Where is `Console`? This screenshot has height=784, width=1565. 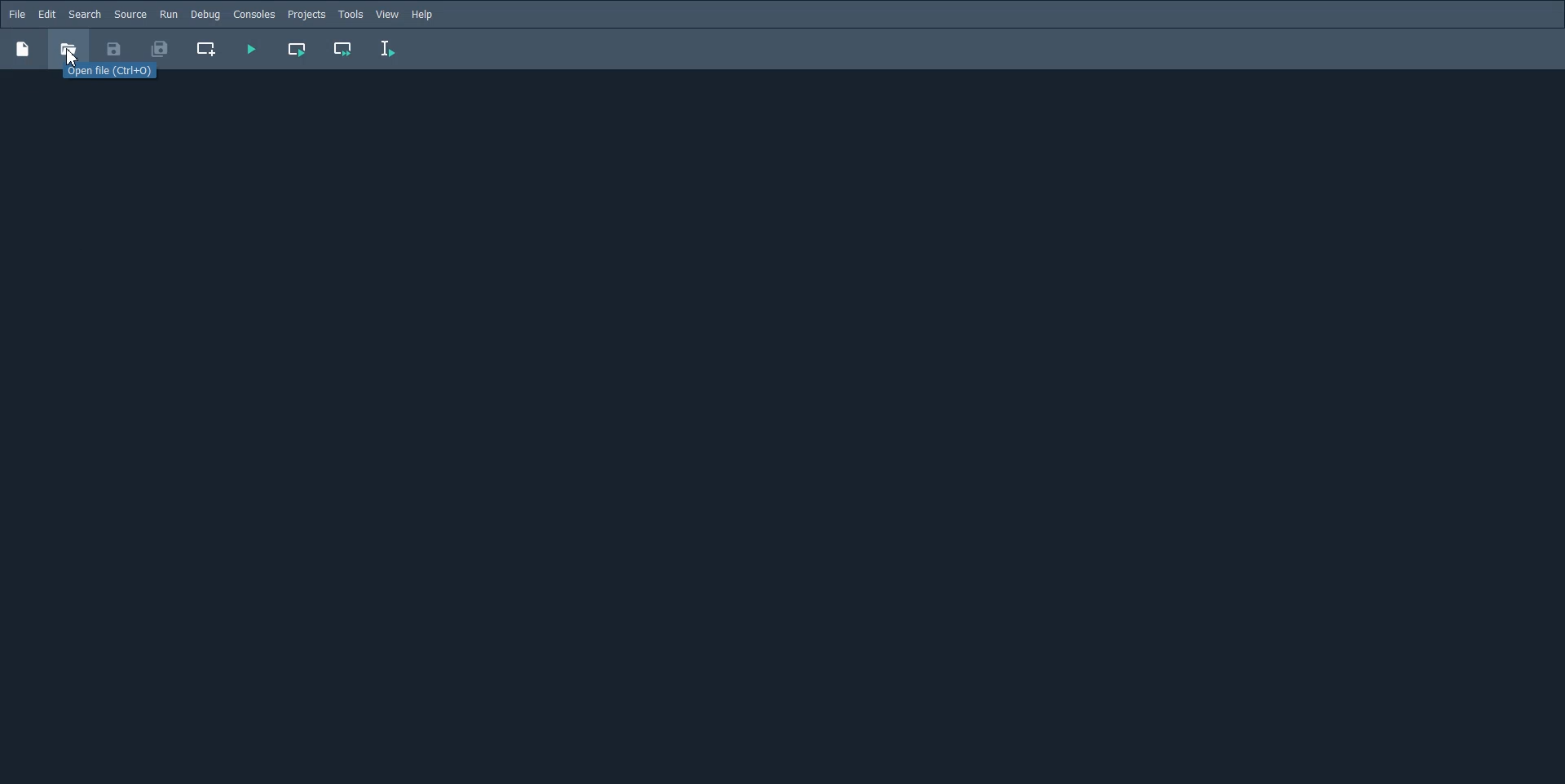 Console is located at coordinates (253, 15).